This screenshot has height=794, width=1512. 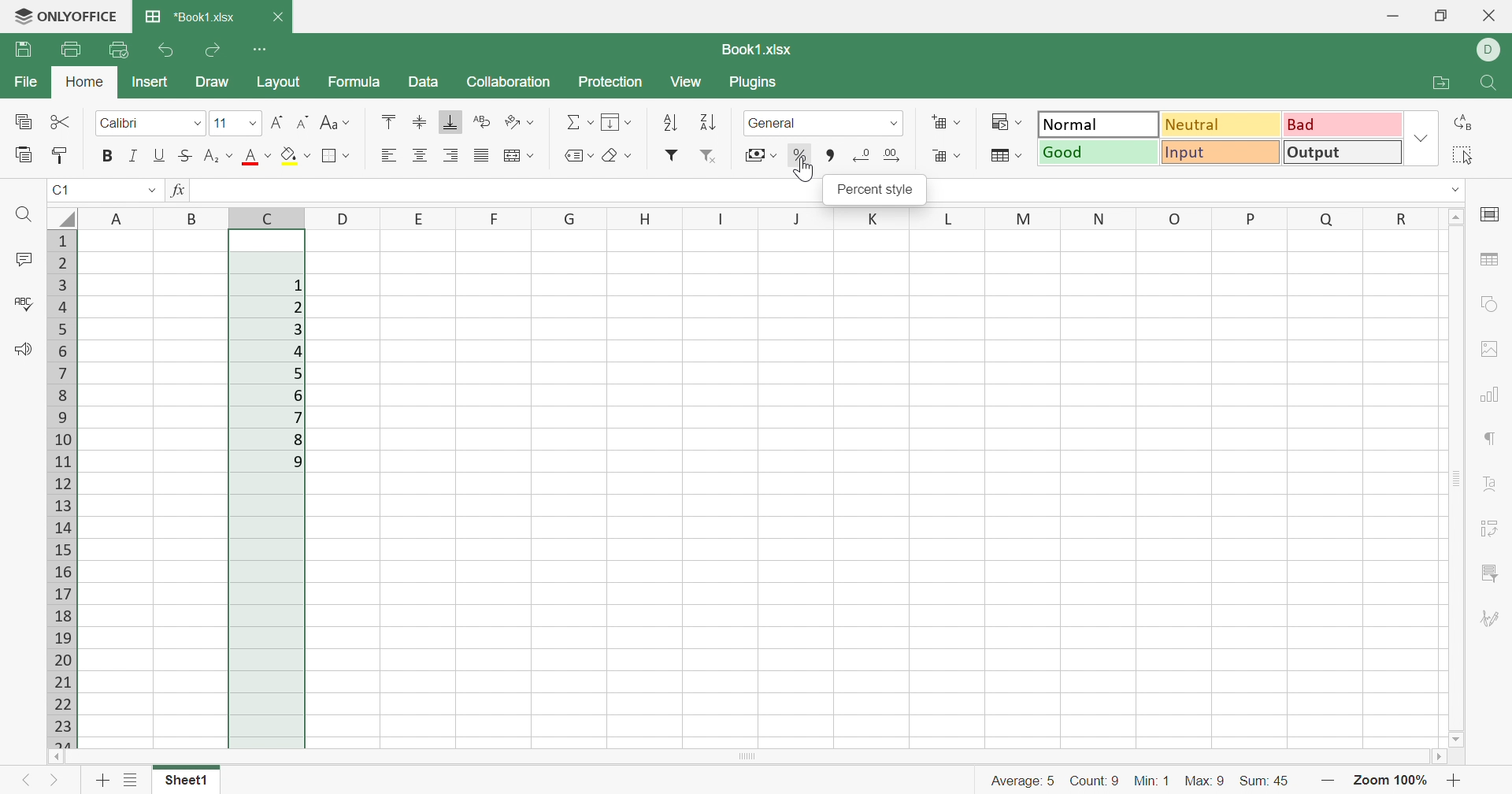 I want to click on Insert cells, so click(x=946, y=124).